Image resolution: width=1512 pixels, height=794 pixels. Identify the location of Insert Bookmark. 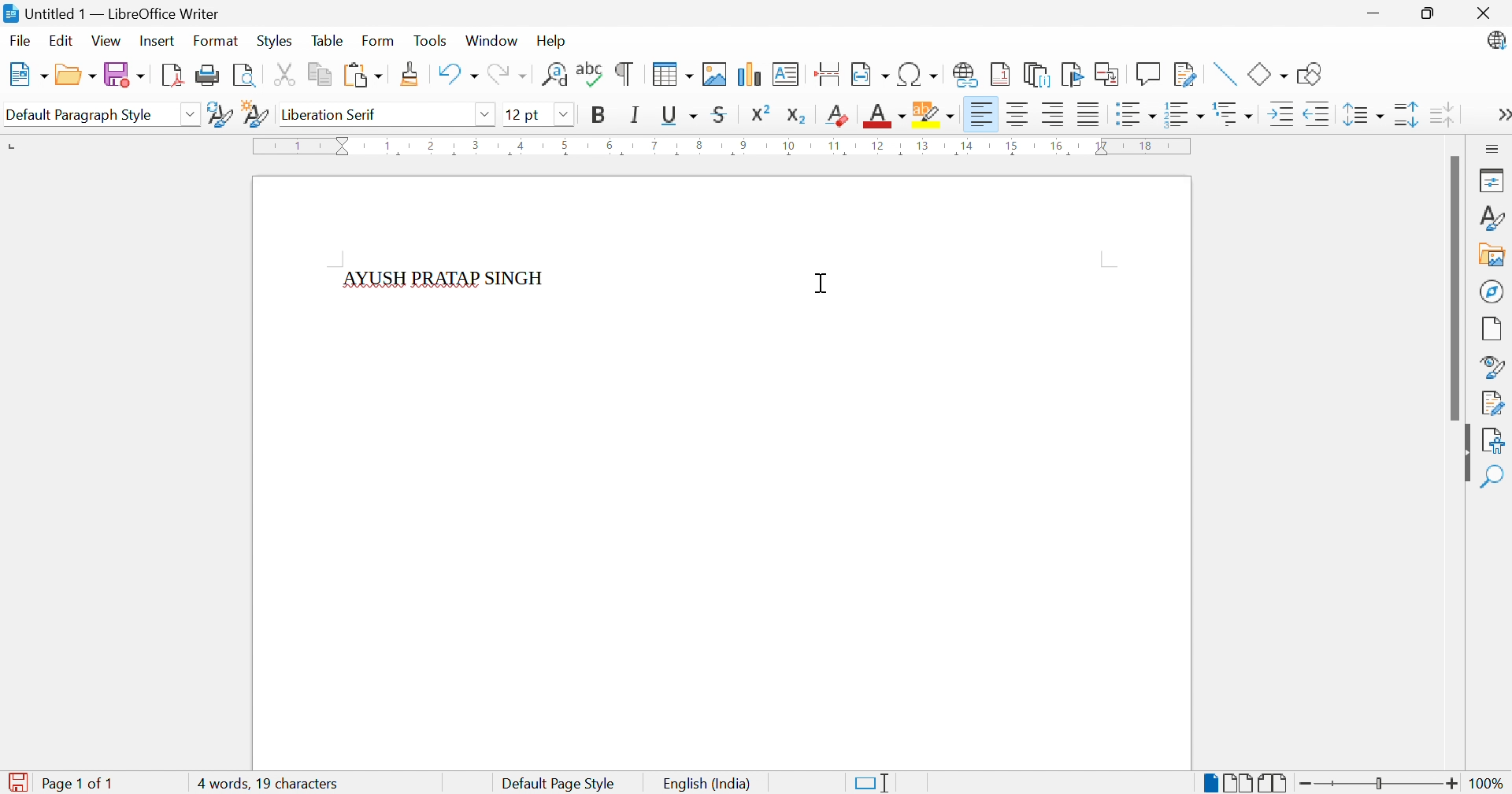
(1070, 74).